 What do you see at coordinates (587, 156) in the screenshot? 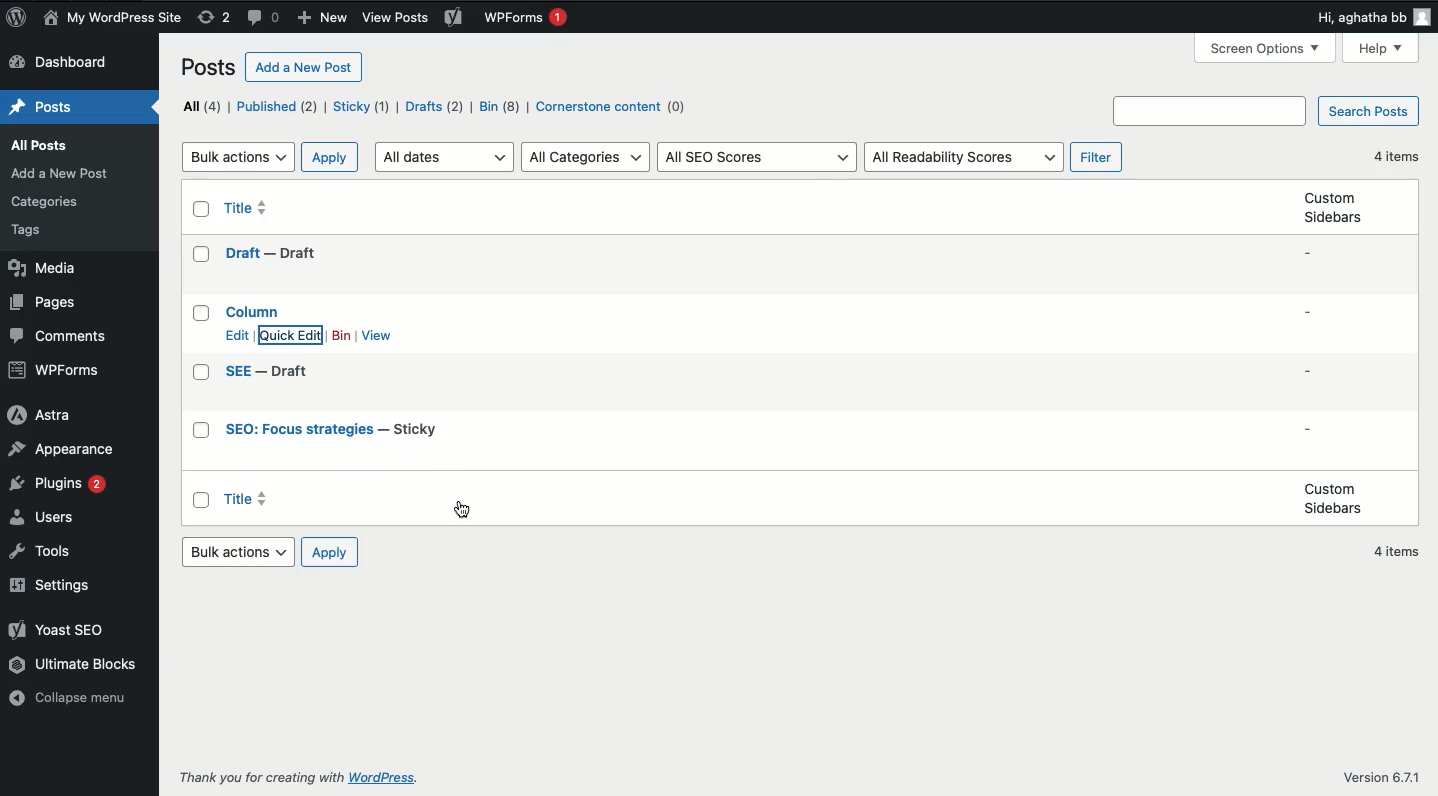
I see `All categories` at bounding box center [587, 156].